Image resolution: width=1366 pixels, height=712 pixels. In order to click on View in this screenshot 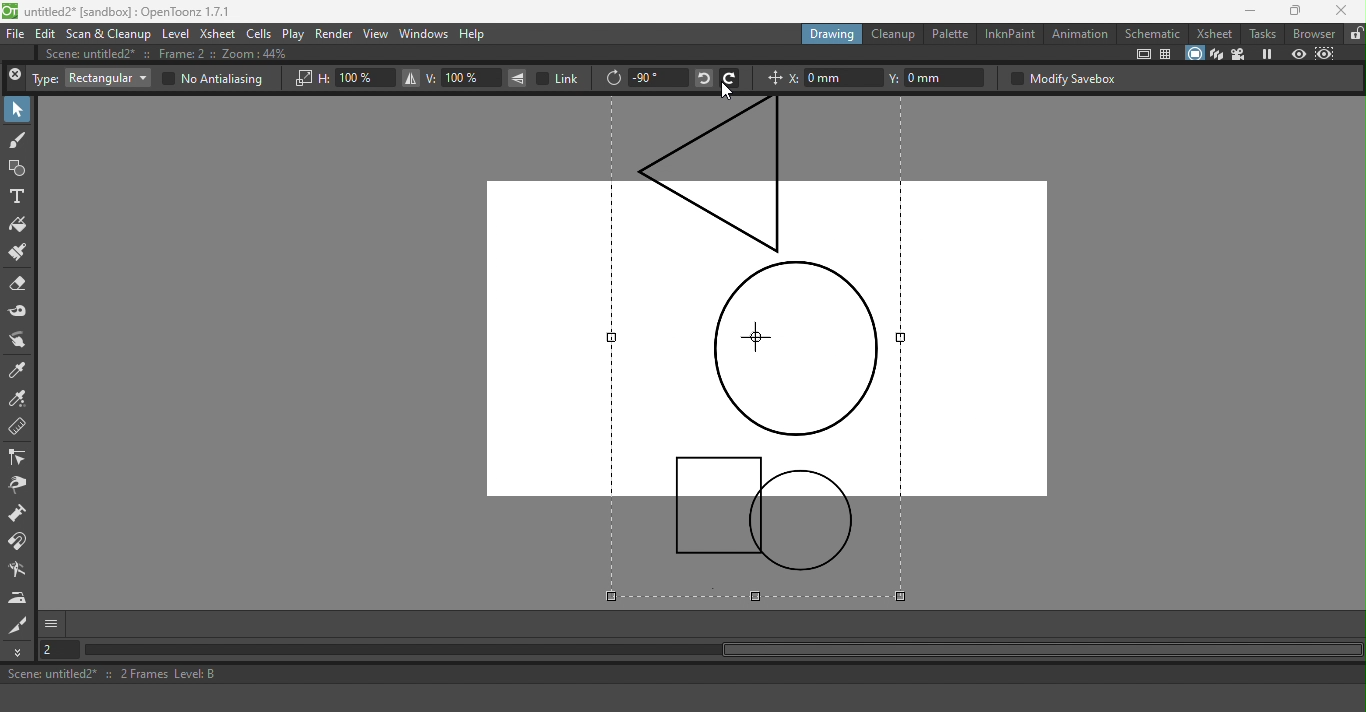, I will do `click(376, 34)`.